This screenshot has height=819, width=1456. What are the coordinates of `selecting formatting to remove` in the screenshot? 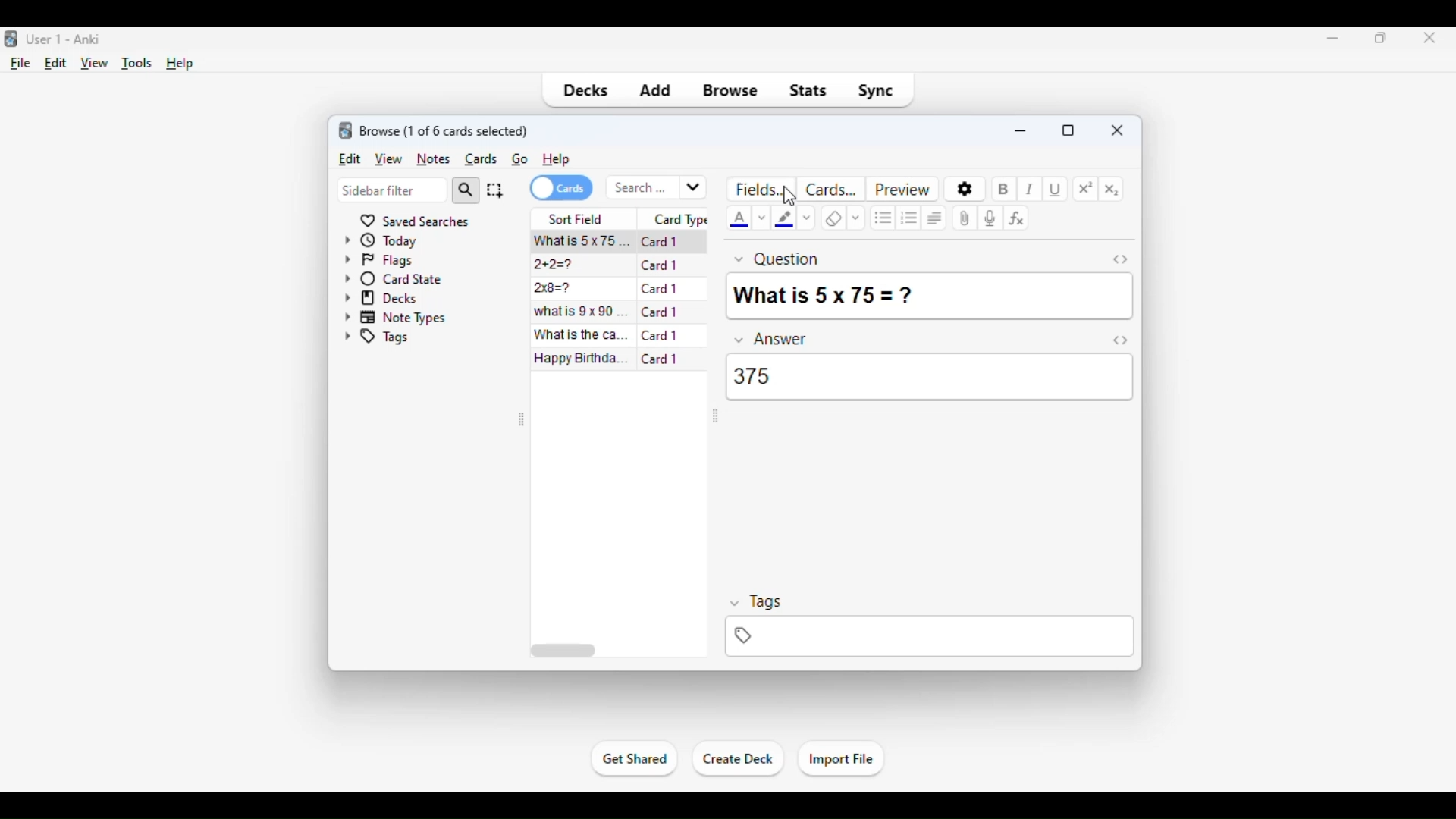 It's located at (856, 218).